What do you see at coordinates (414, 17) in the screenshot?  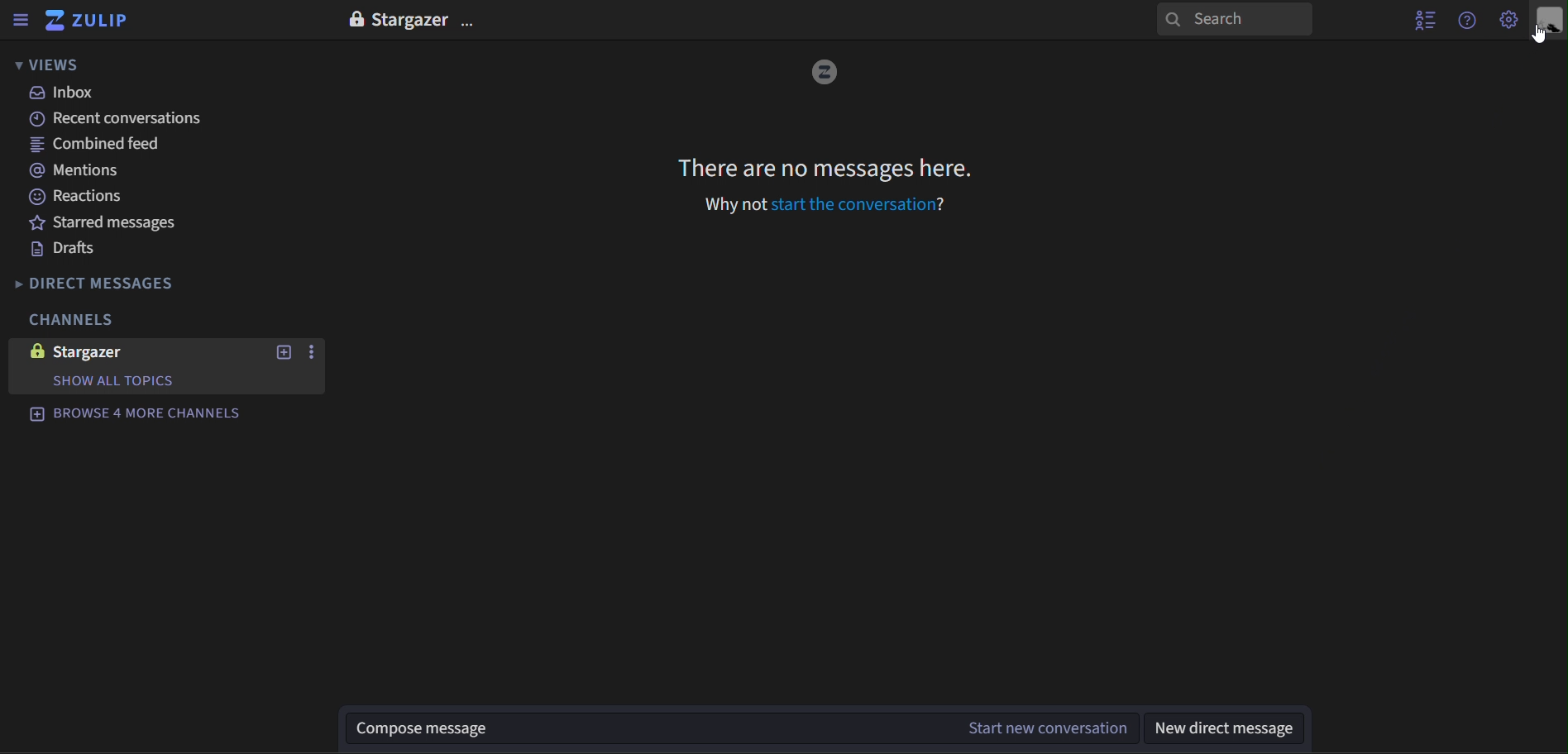 I see `stargazer` at bounding box center [414, 17].